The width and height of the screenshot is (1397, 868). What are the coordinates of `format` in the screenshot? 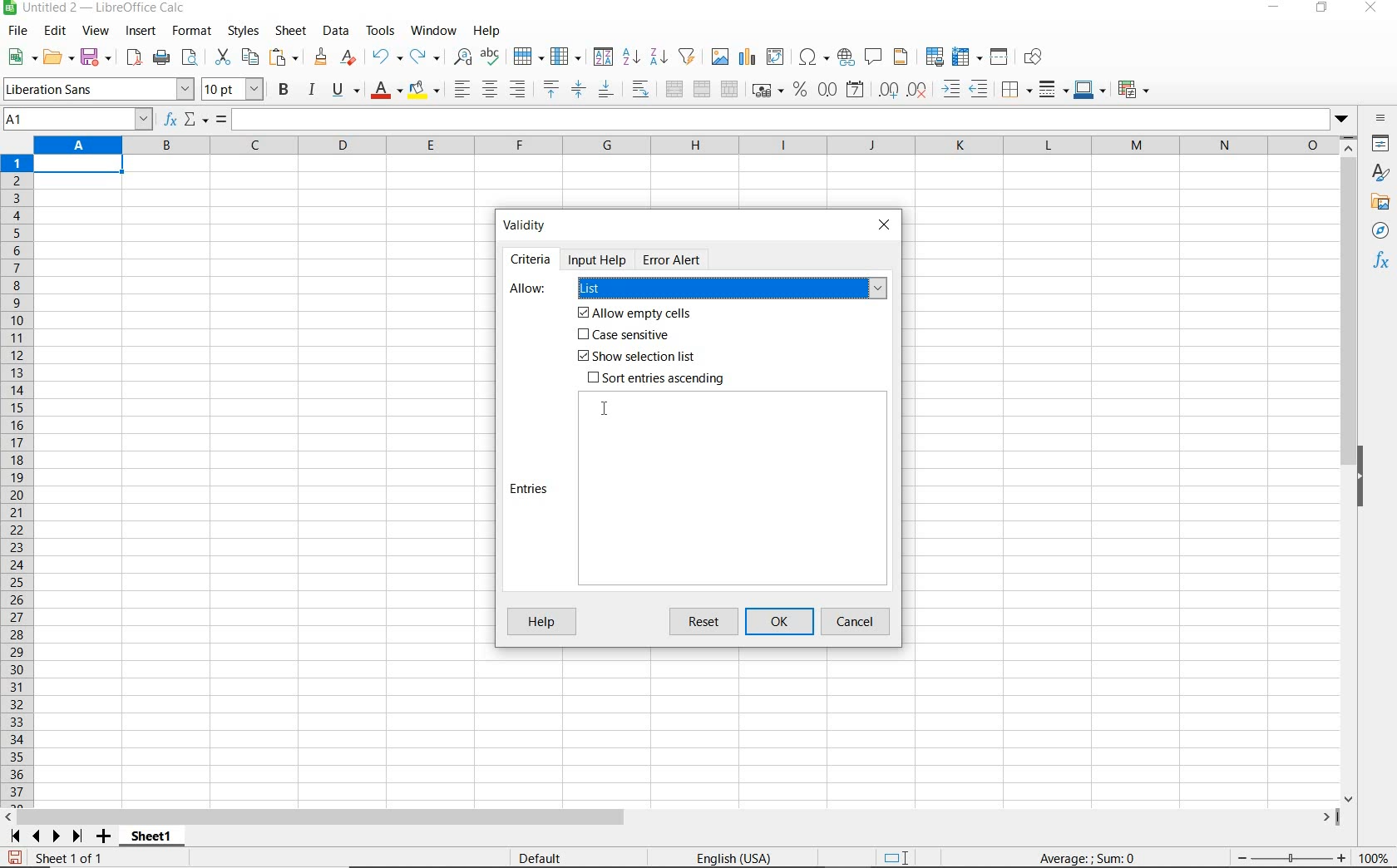 It's located at (190, 31).